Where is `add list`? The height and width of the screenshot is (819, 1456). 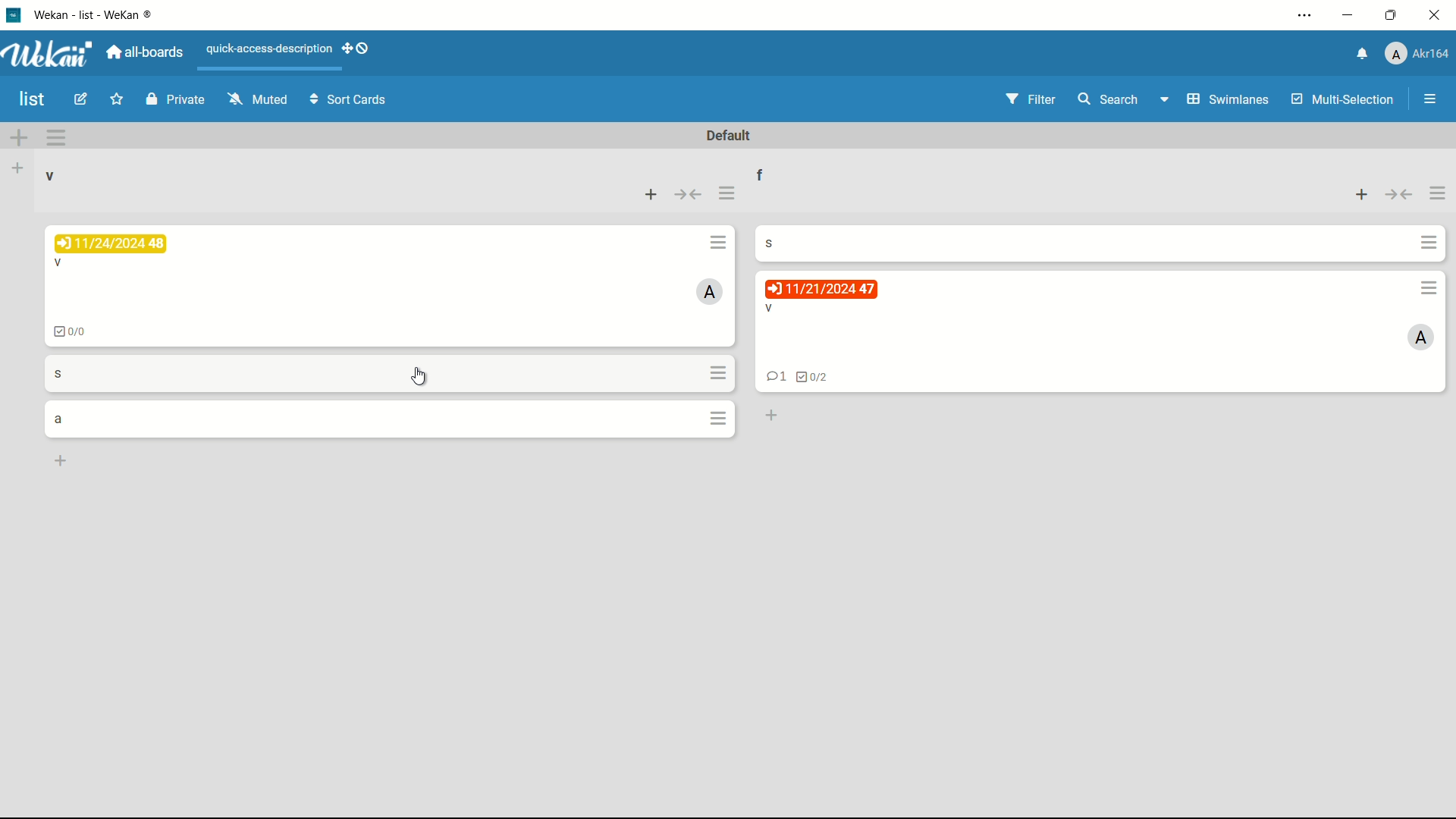 add list is located at coordinates (17, 169).